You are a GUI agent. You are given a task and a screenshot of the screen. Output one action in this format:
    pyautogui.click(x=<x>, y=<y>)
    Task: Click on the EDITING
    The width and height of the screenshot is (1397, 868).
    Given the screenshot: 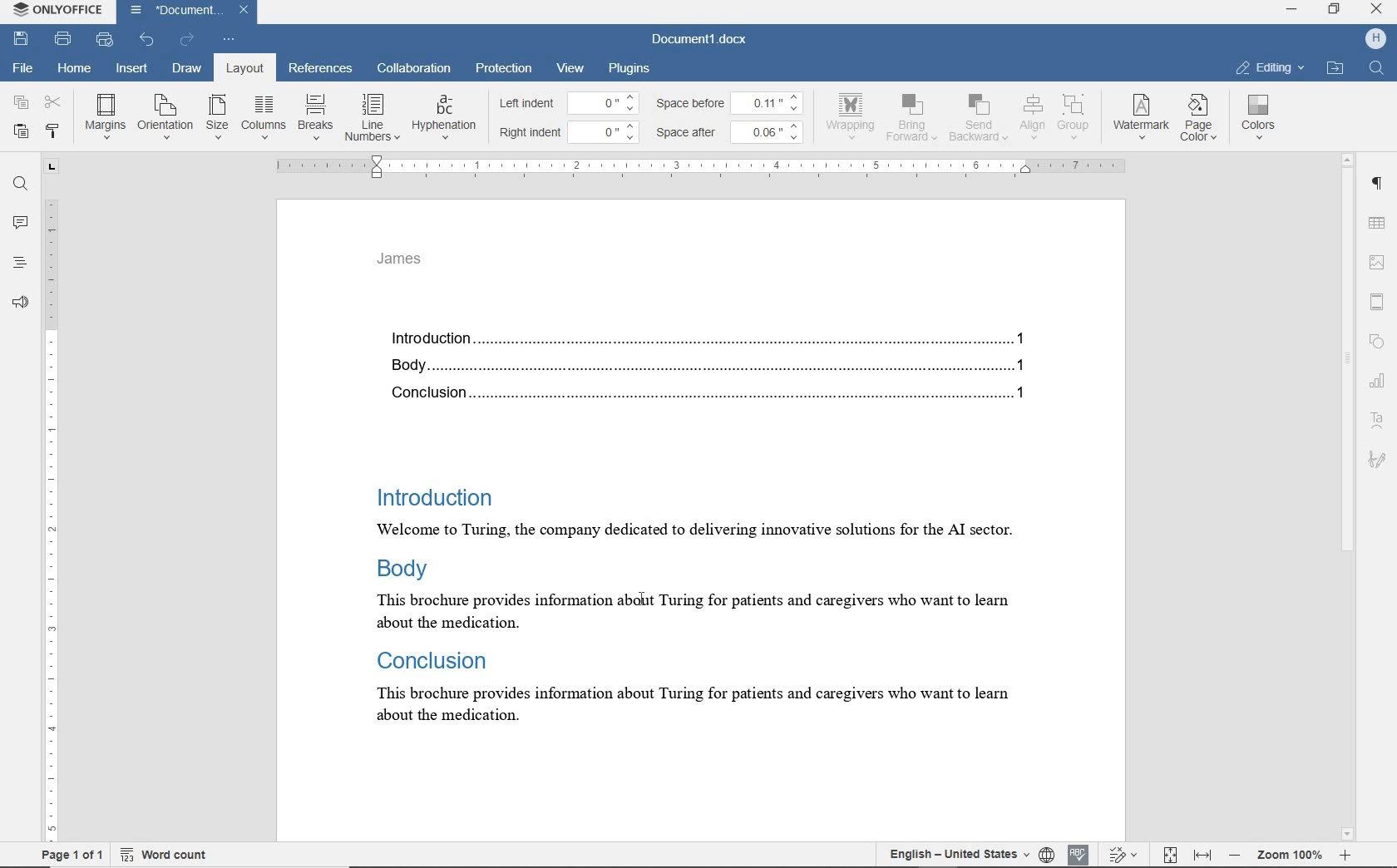 What is the action you would take?
    pyautogui.click(x=1270, y=67)
    